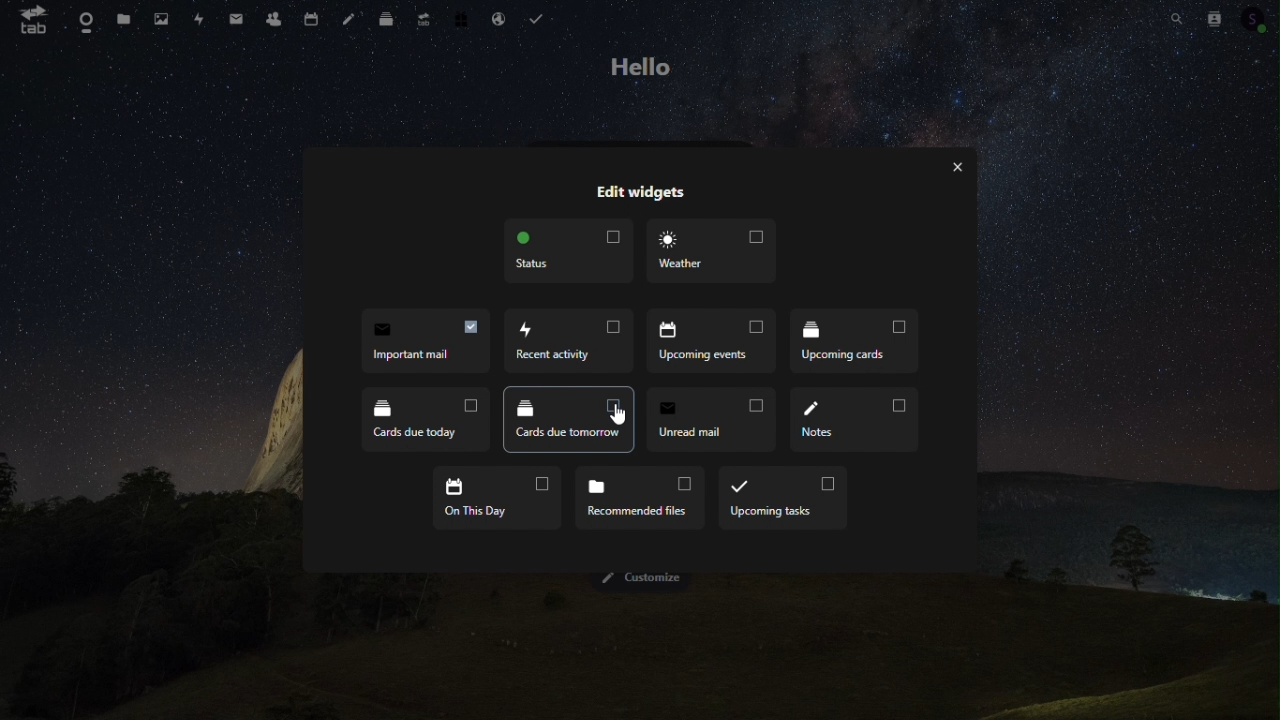  Describe the element at coordinates (386, 17) in the screenshot. I see `deck` at that location.